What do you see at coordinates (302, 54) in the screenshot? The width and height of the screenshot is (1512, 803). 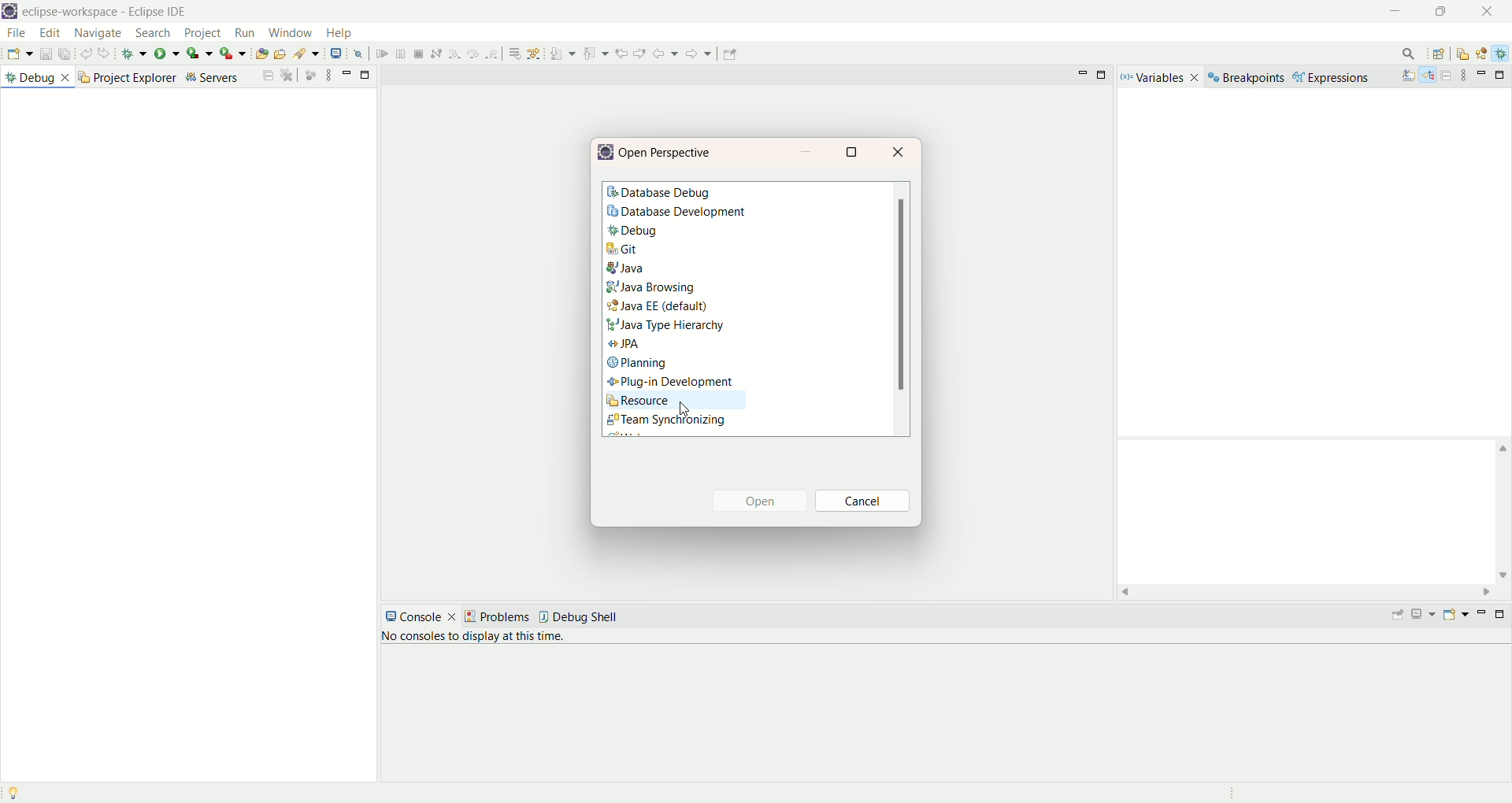 I see `create a new Java servlet` at bounding box center [302, 54].